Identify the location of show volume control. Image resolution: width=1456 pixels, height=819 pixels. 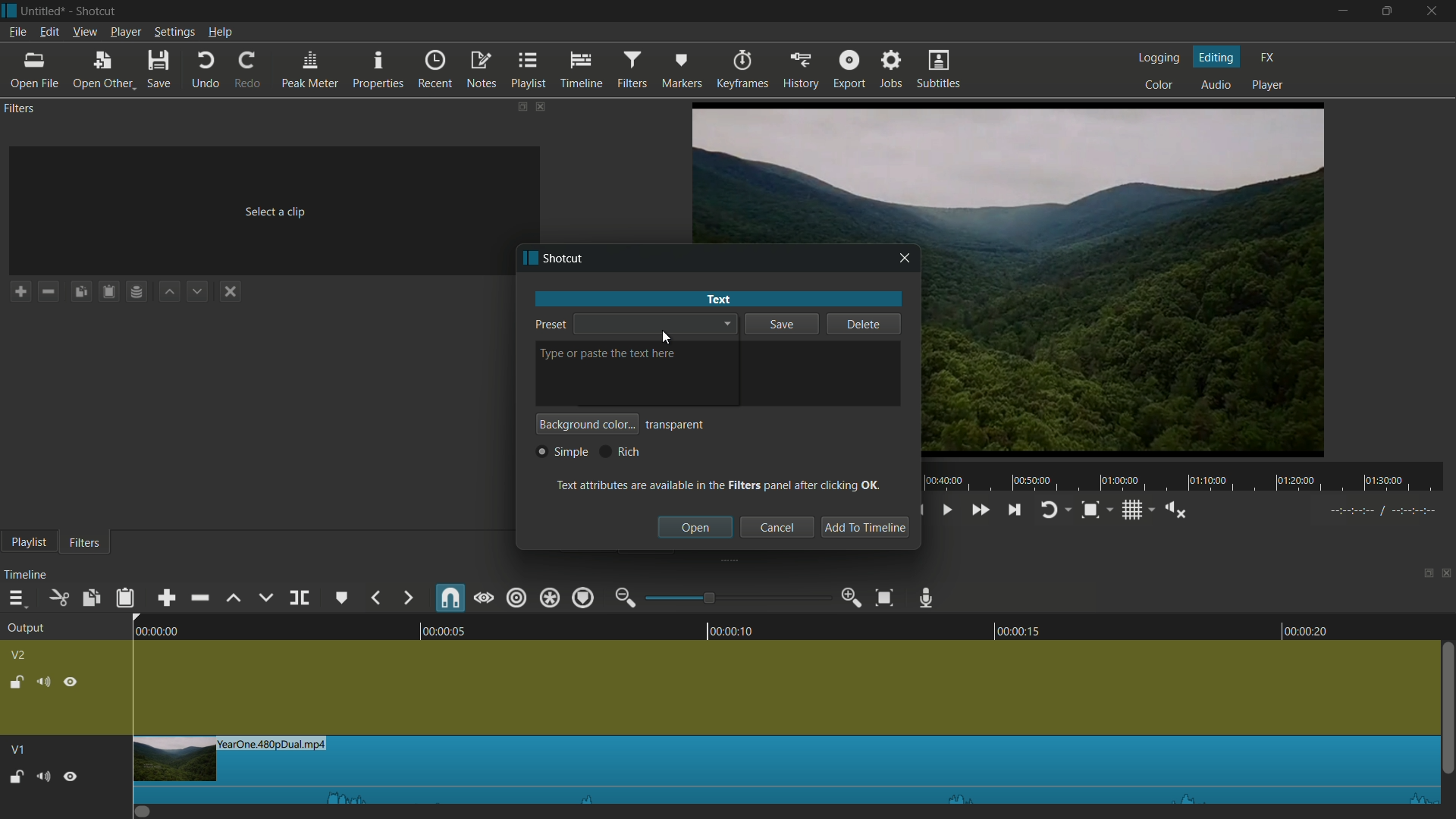
(1175, 508).